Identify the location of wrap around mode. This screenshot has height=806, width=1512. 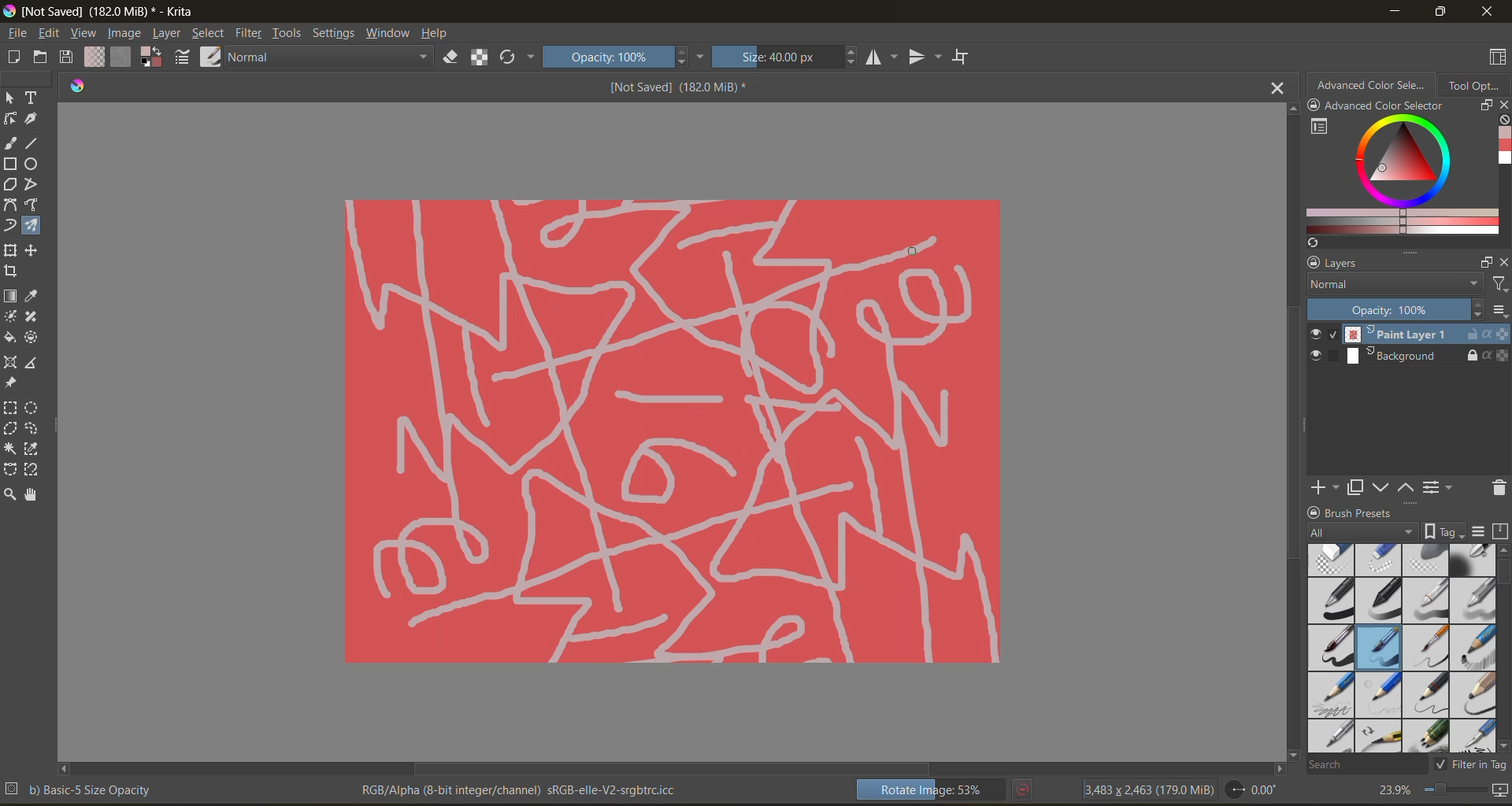
(969, 57).